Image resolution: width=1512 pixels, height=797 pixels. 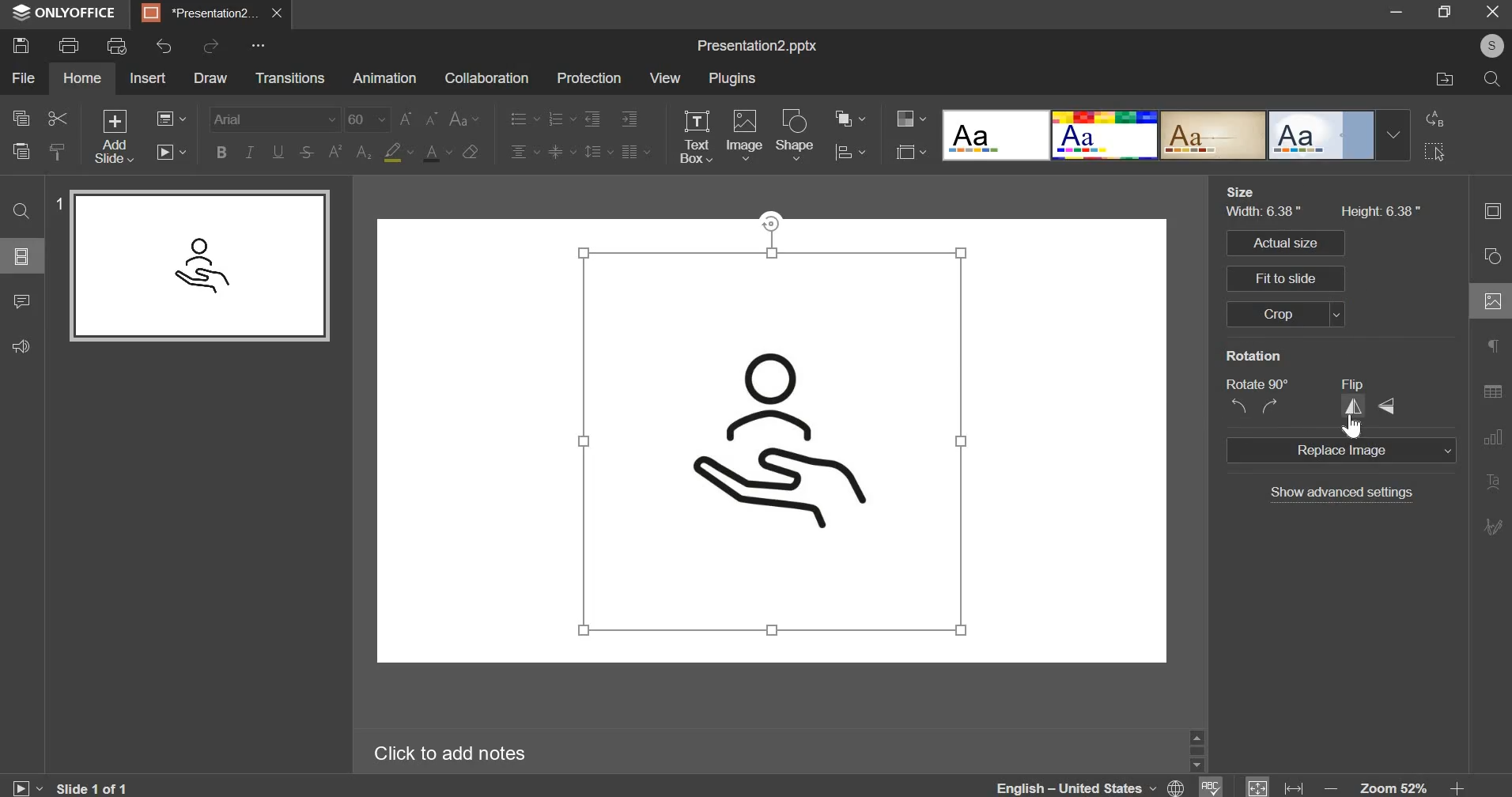 What do you see at coordinates (278, 13) in the screenshot?
I see `close presentation` at bounding box center [278, 13].